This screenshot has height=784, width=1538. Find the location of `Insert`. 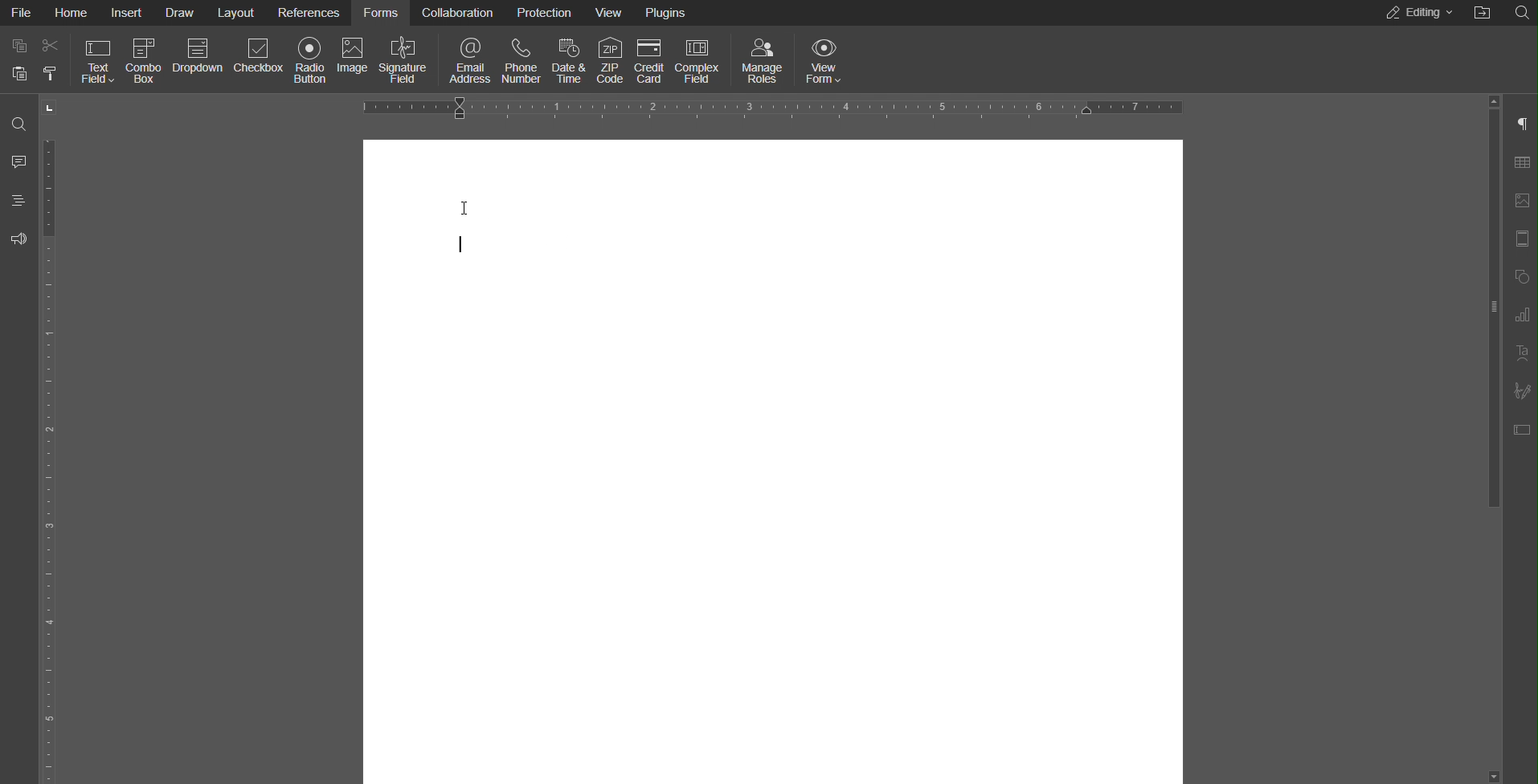

Insert is located at coordinates (128, 13).